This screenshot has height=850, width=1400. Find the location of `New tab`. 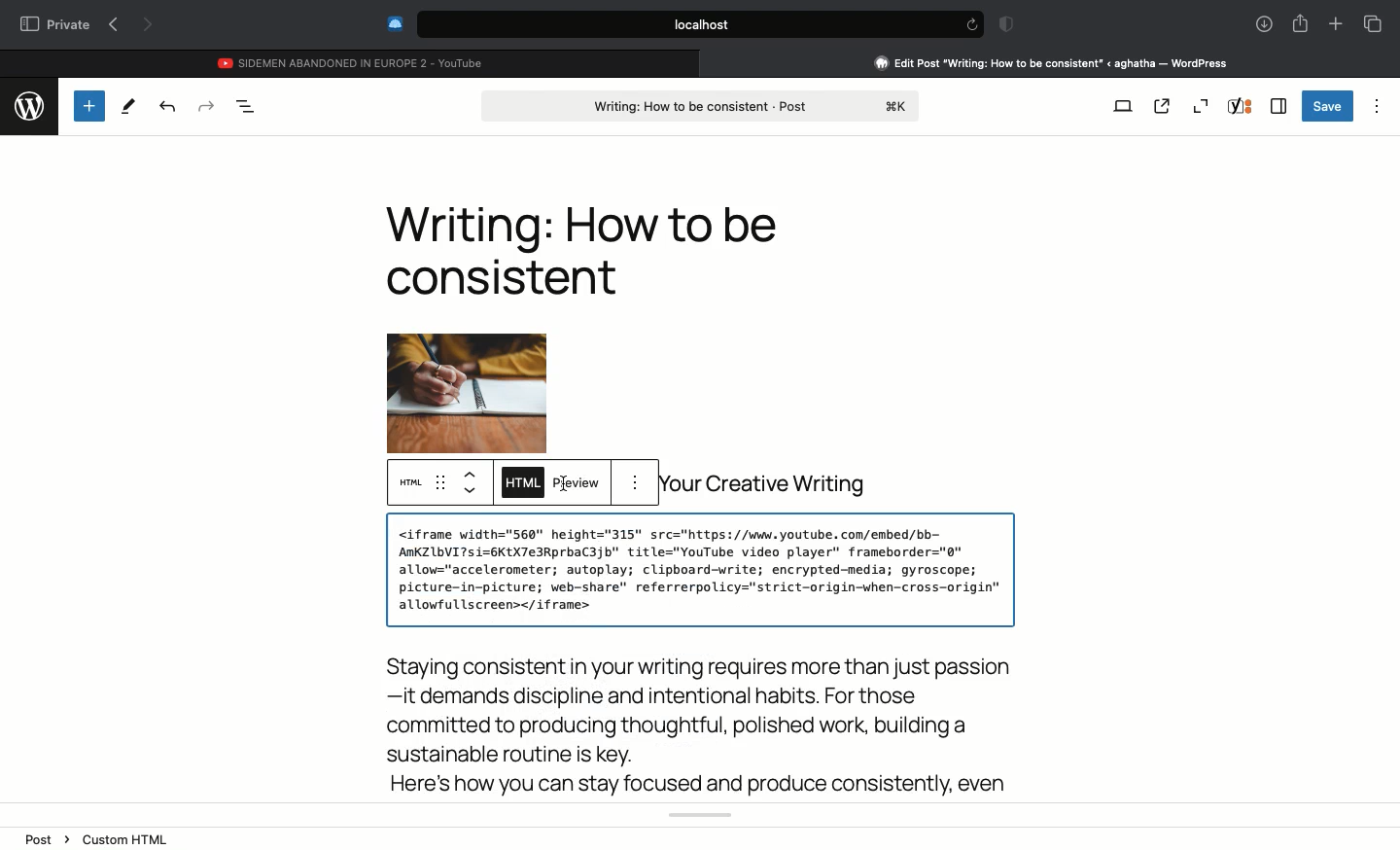

New tab is located at coordinates (1336, 24).